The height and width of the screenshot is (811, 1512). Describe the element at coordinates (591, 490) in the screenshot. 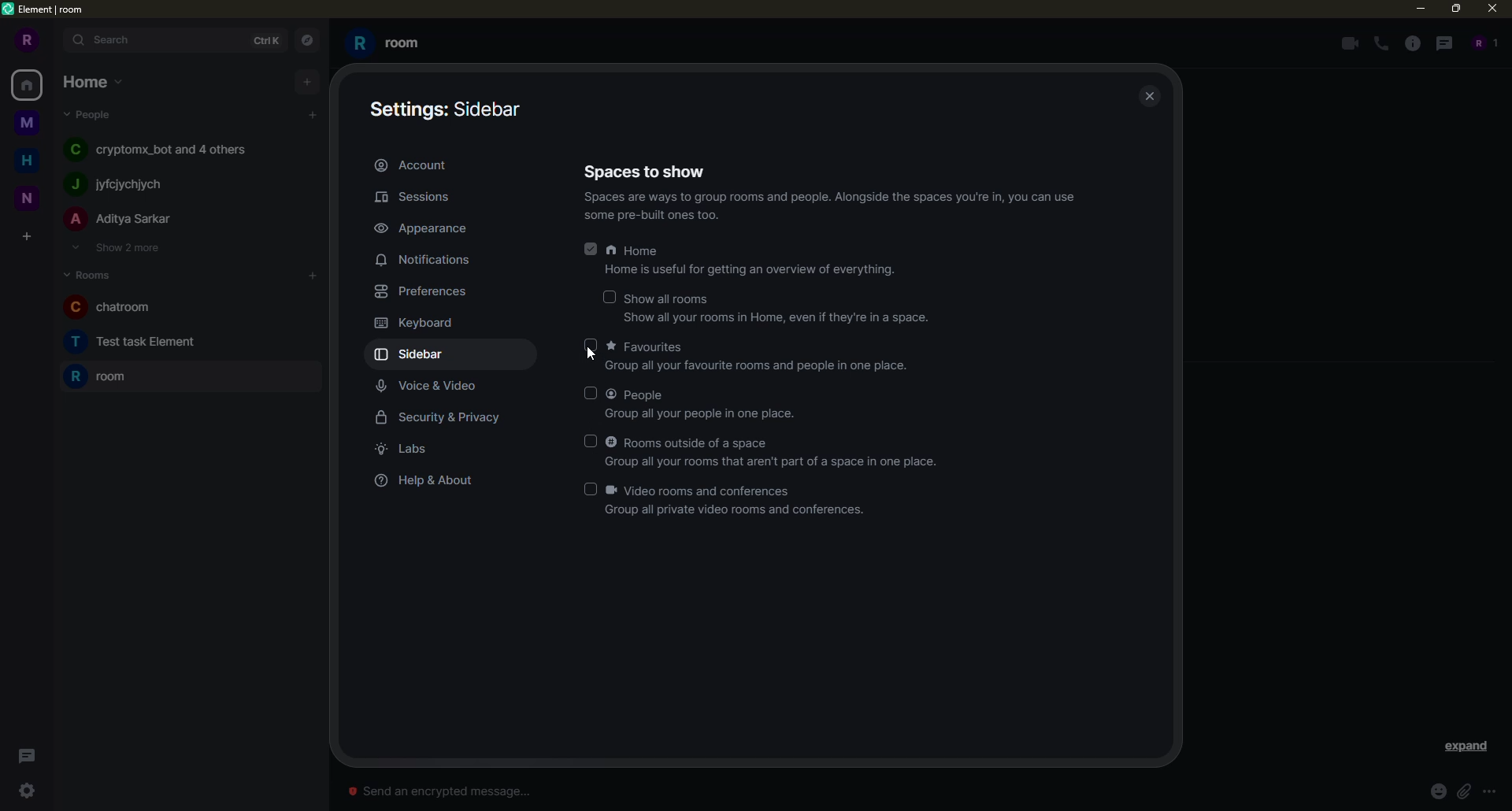

I see `select` at that location.